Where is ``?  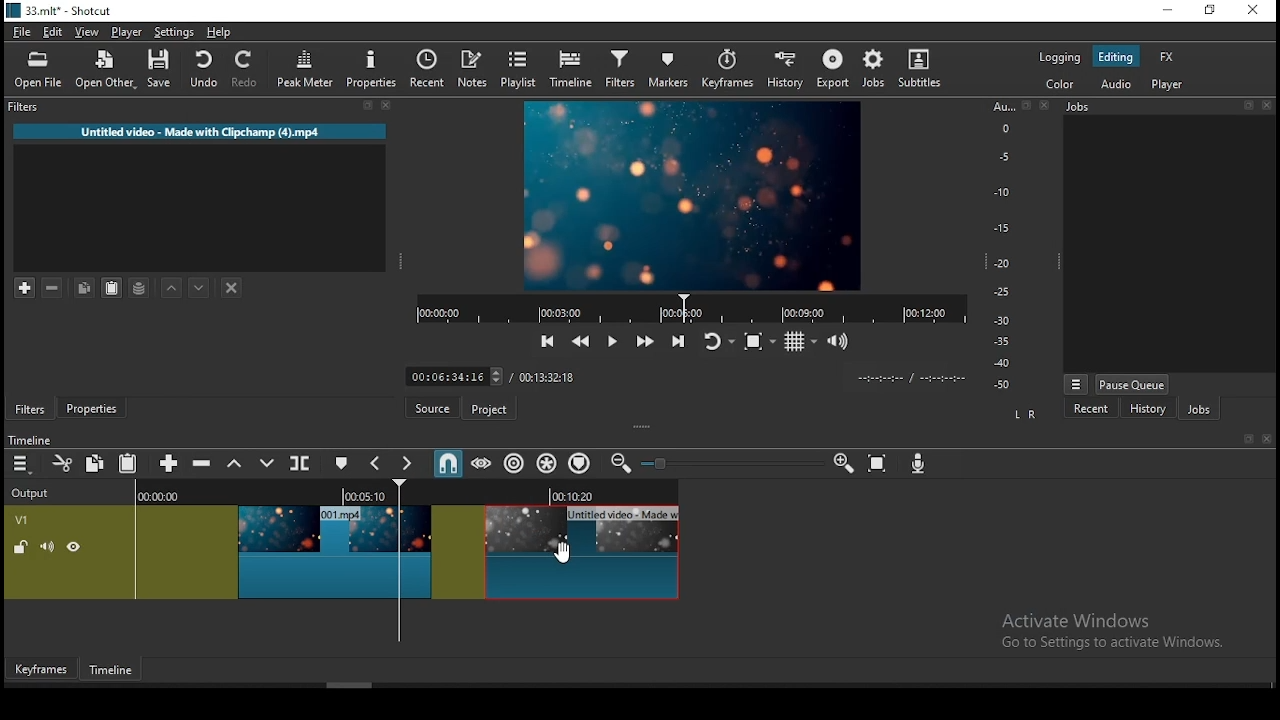  is located at coordinates (662, 464).